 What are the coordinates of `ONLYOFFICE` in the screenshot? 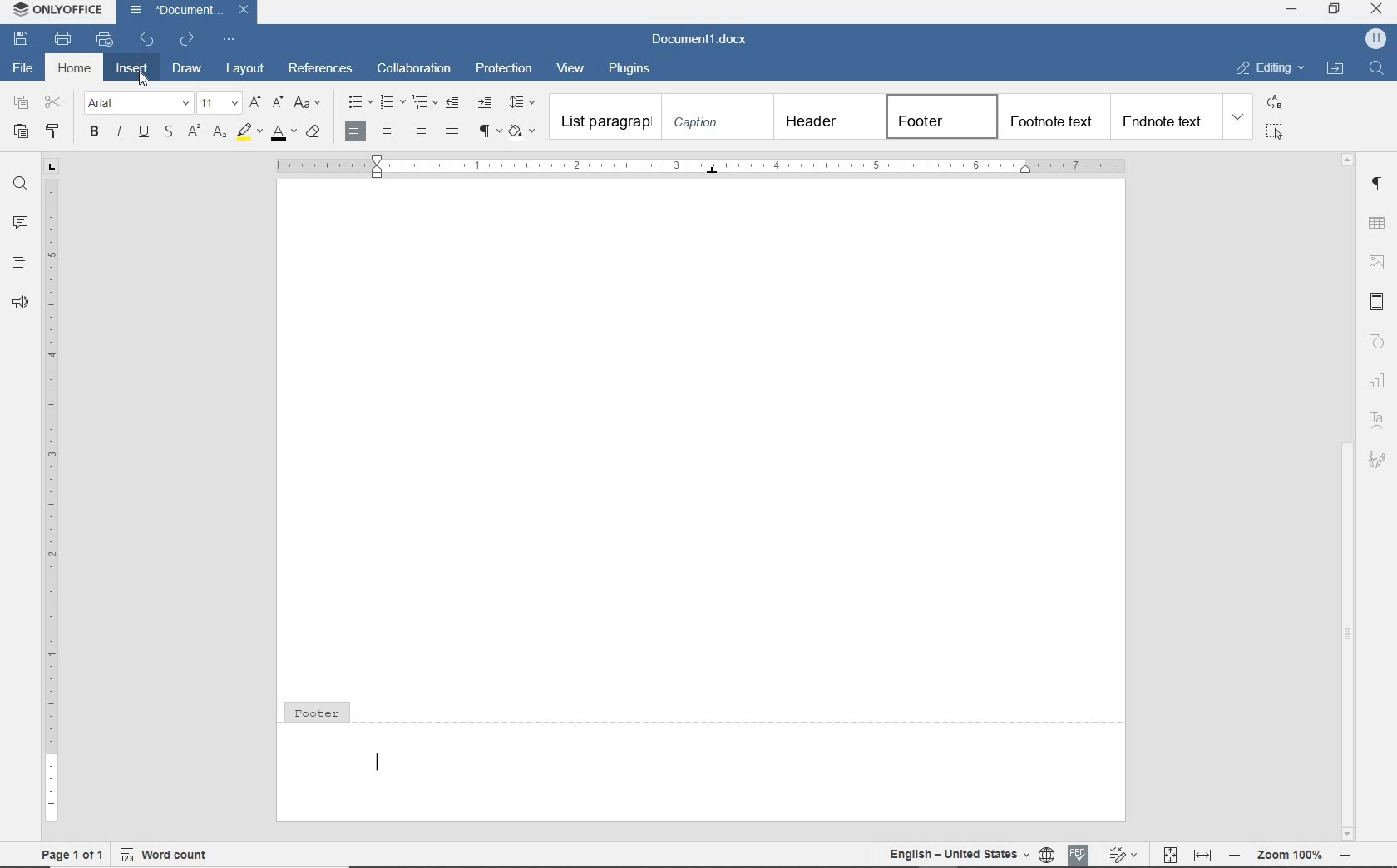 It's located at (55, 12).